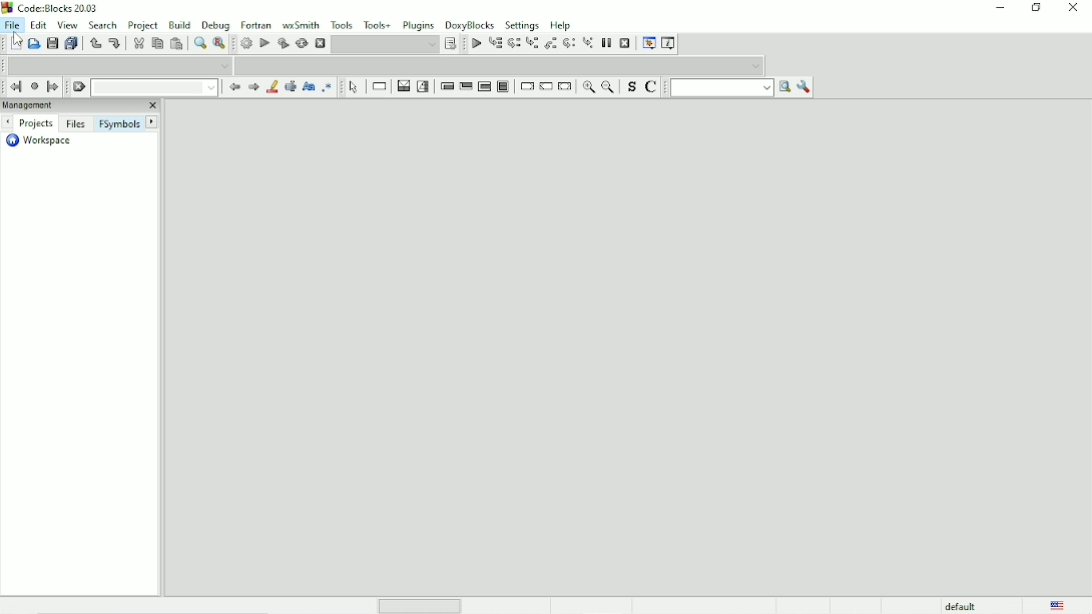 This screenshot has height=614, width=1092. I want to click on Run, so click(264, 42).